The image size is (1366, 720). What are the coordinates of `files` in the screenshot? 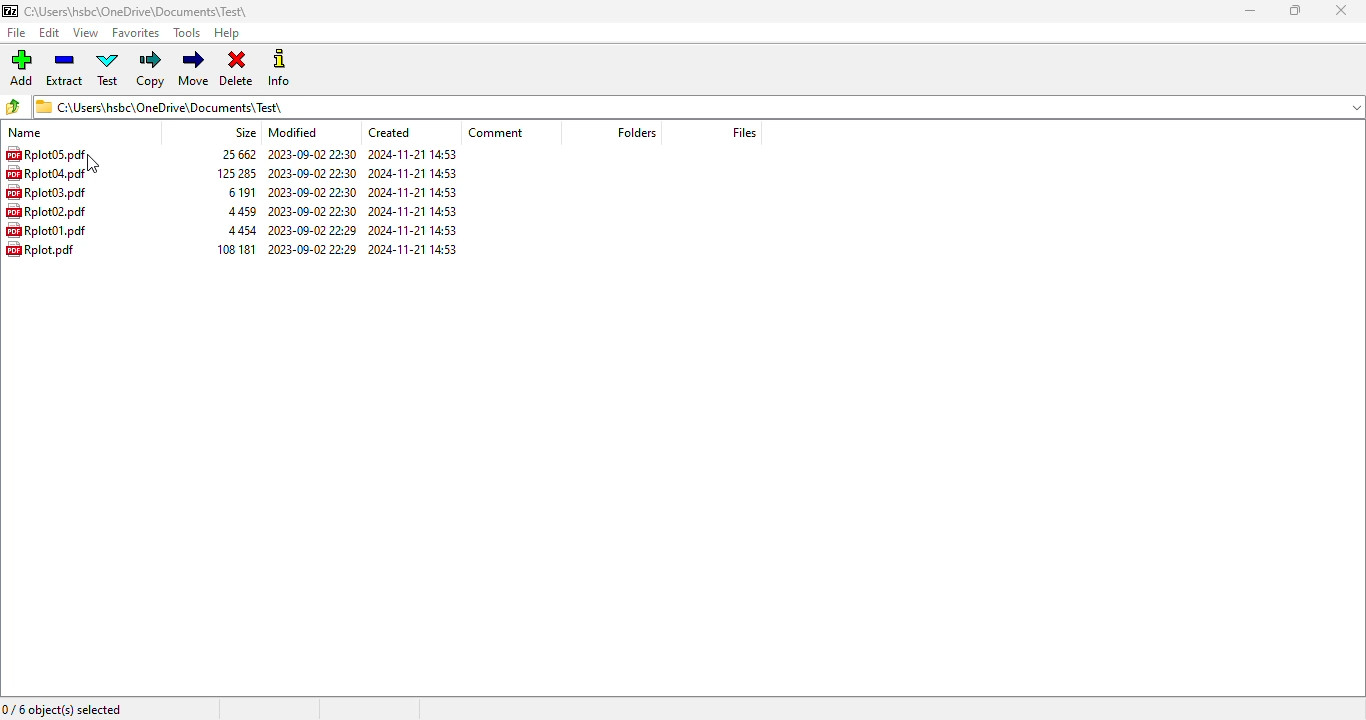 It's located at (744, 132).